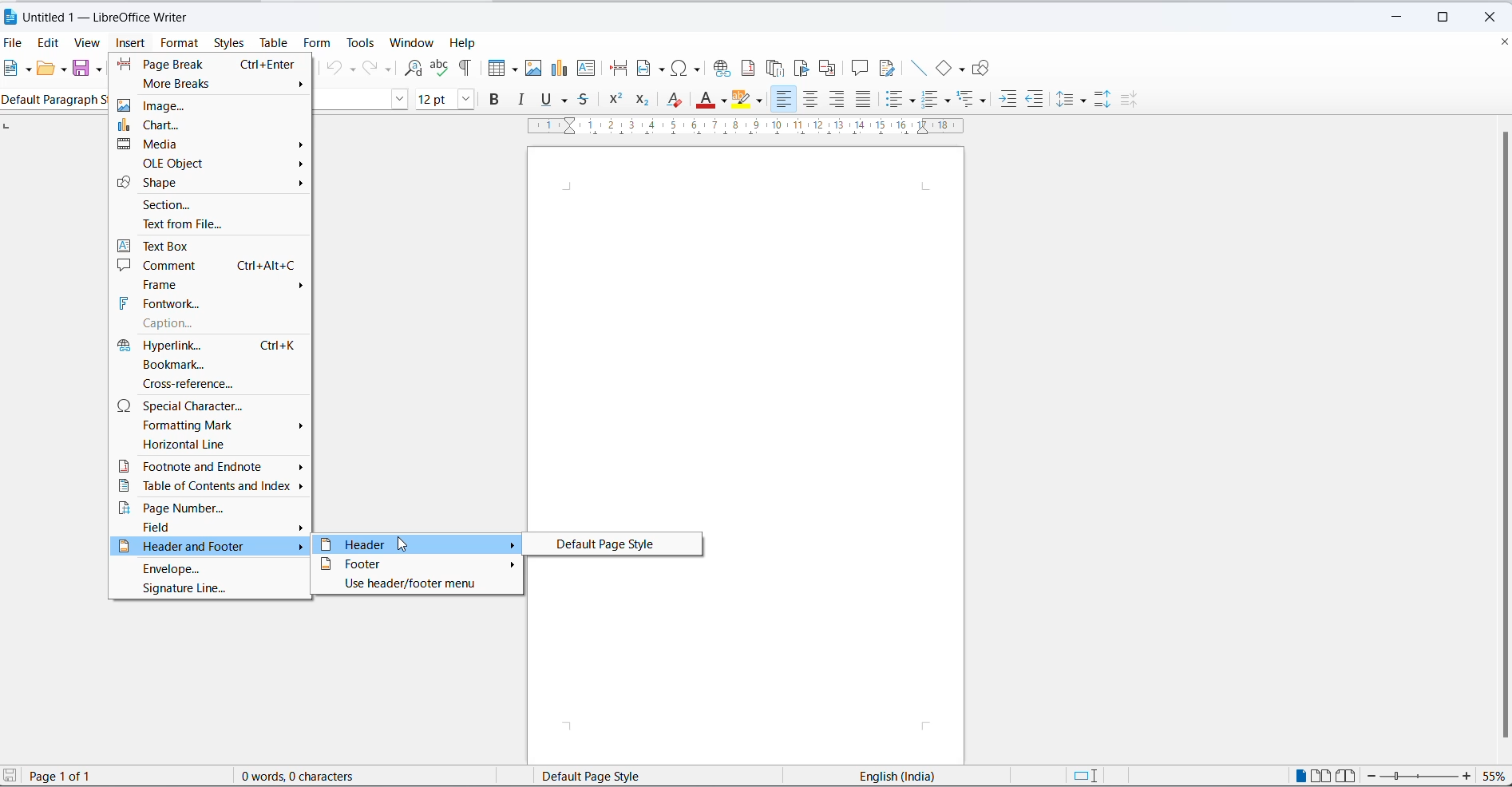  What do you see at coordinates (14, 44) in the screenshot?
I see `file` at bounding box center [14, 44].